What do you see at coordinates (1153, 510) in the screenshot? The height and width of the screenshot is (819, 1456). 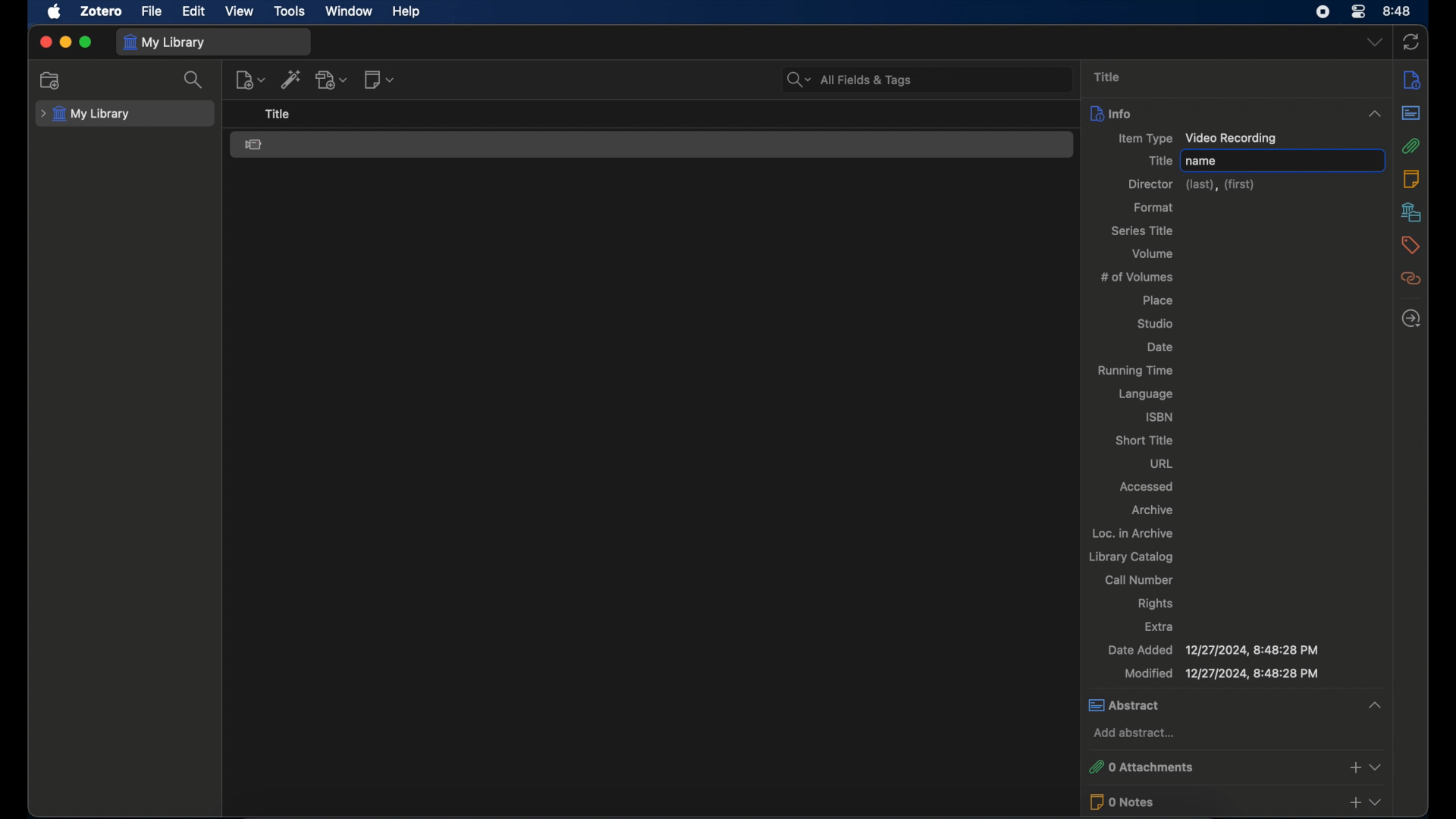 I see `archive` at bounding box center [1153, 510].